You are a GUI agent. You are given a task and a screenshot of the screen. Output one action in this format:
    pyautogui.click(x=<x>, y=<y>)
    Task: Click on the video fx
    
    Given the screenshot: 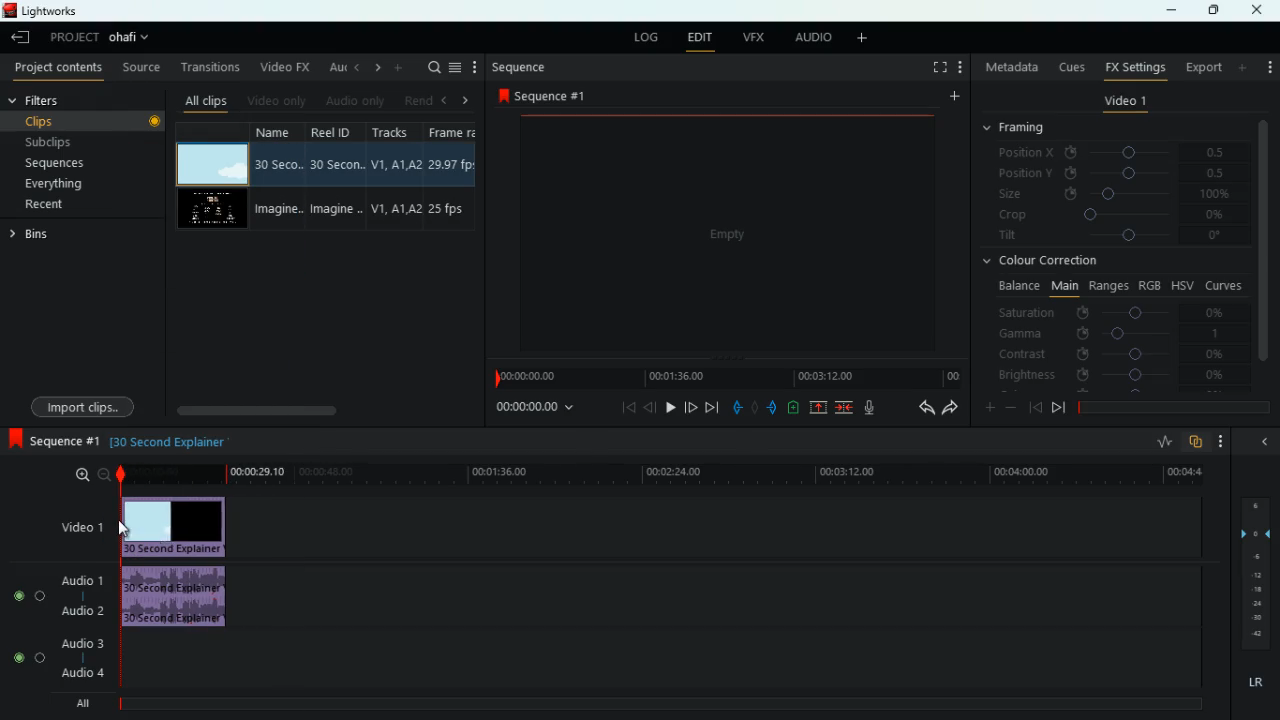 What is the action you would take?
    pyautogui.click(x=283, y=66)
    